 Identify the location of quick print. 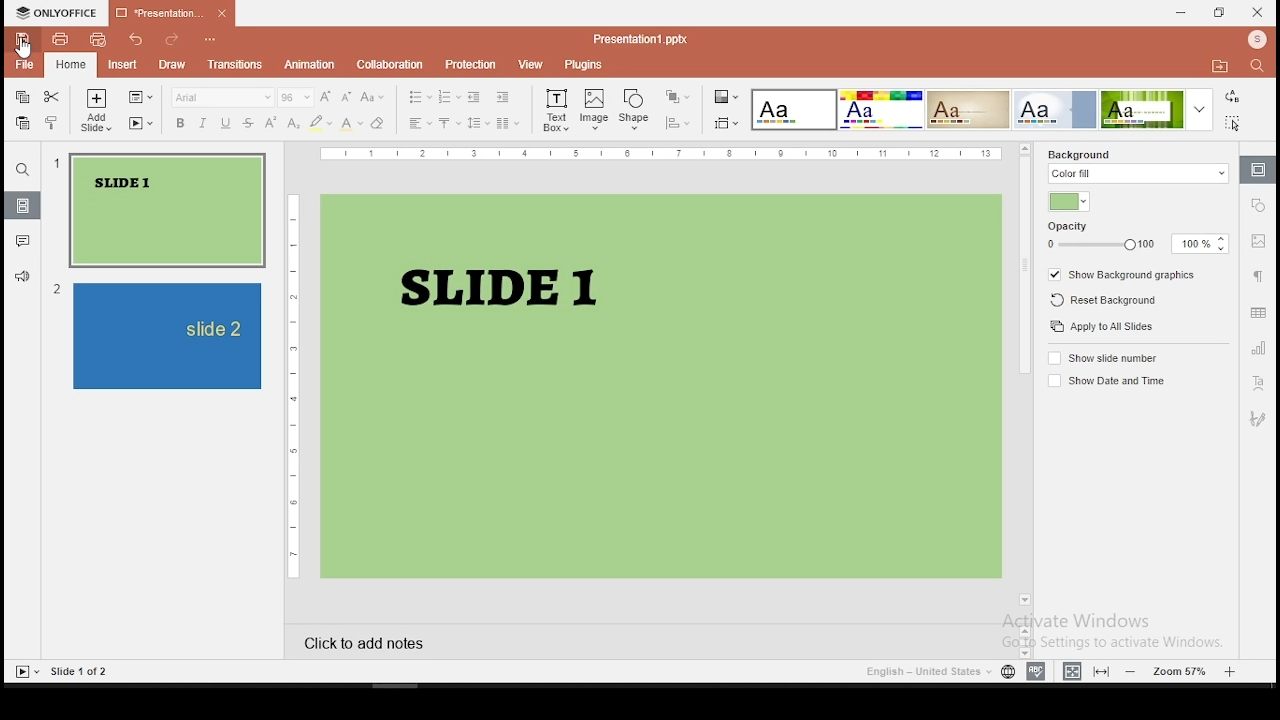
(99, 38).